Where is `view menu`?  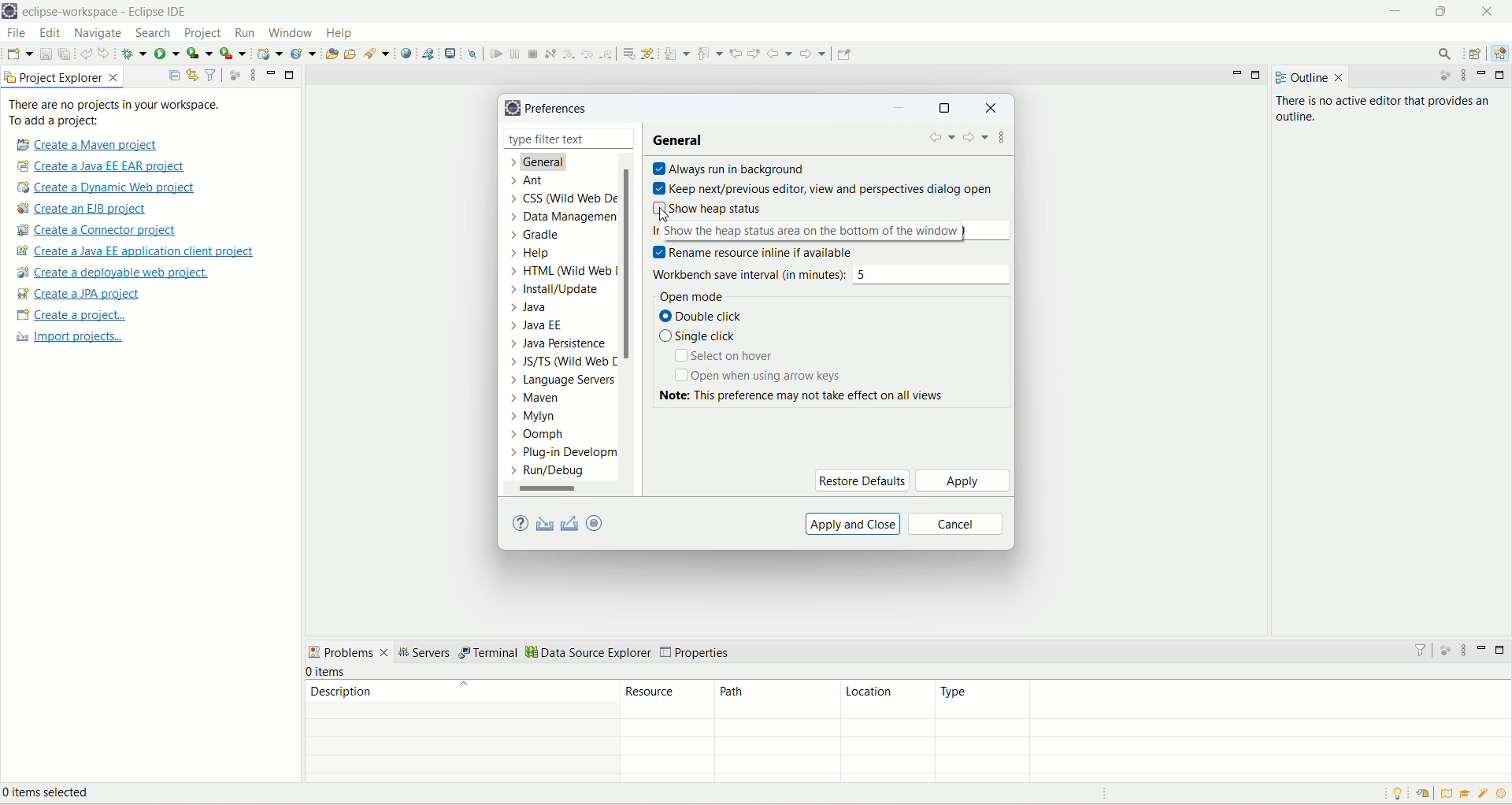 view menu is located at coordinates (249, 76).